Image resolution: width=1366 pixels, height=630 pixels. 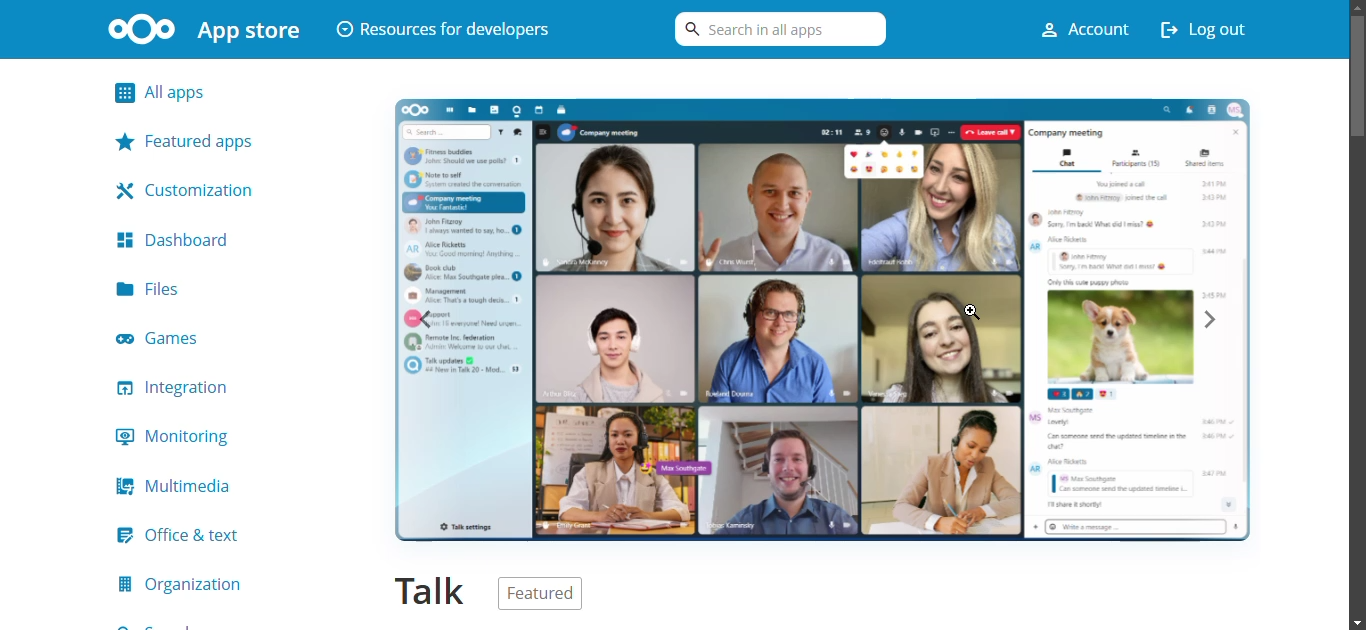 I want to click on account, so click(x=1074, y=29).